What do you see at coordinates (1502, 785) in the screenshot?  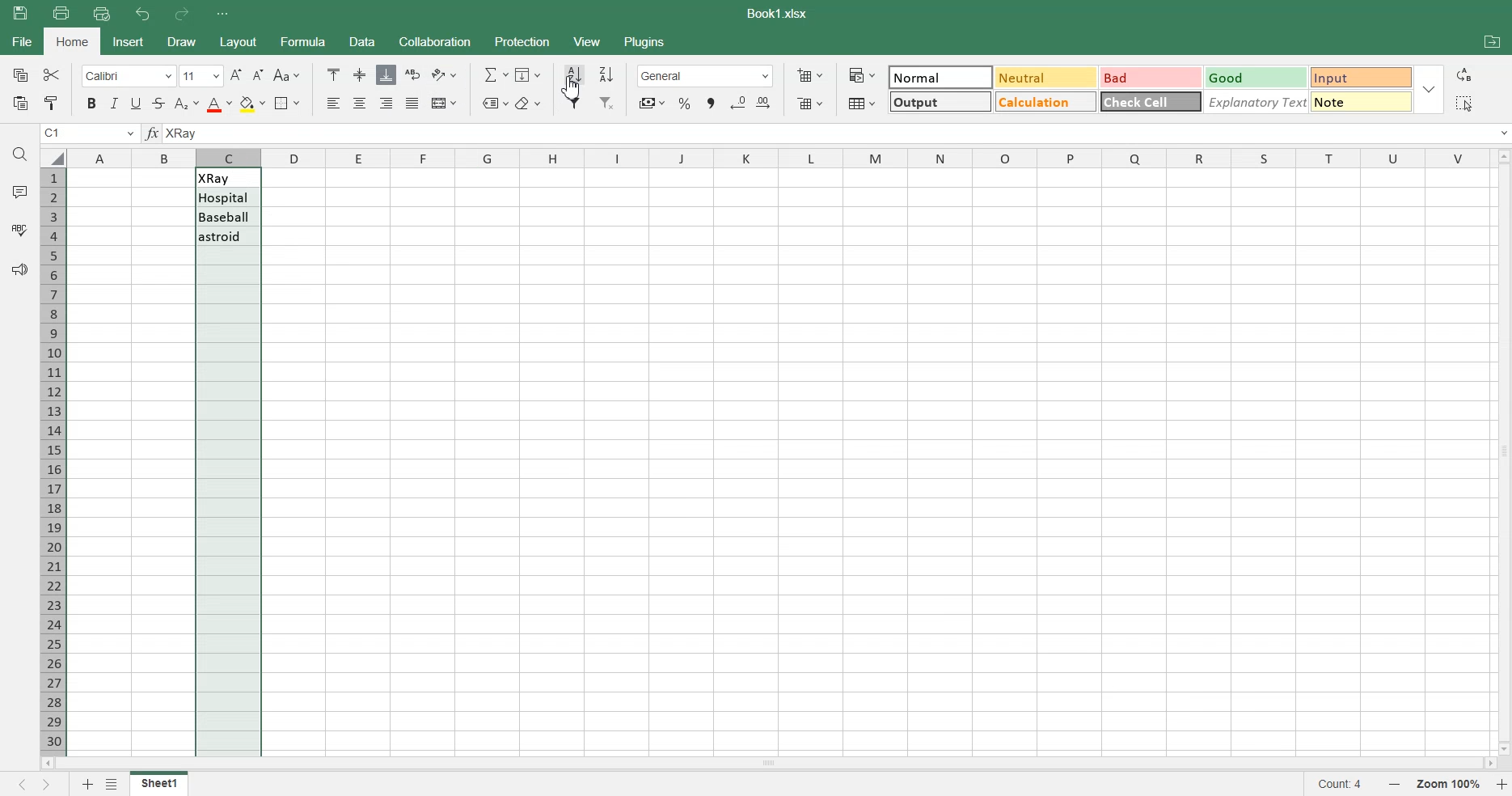 I see `zoom in` at bounding box center [1502, 785].